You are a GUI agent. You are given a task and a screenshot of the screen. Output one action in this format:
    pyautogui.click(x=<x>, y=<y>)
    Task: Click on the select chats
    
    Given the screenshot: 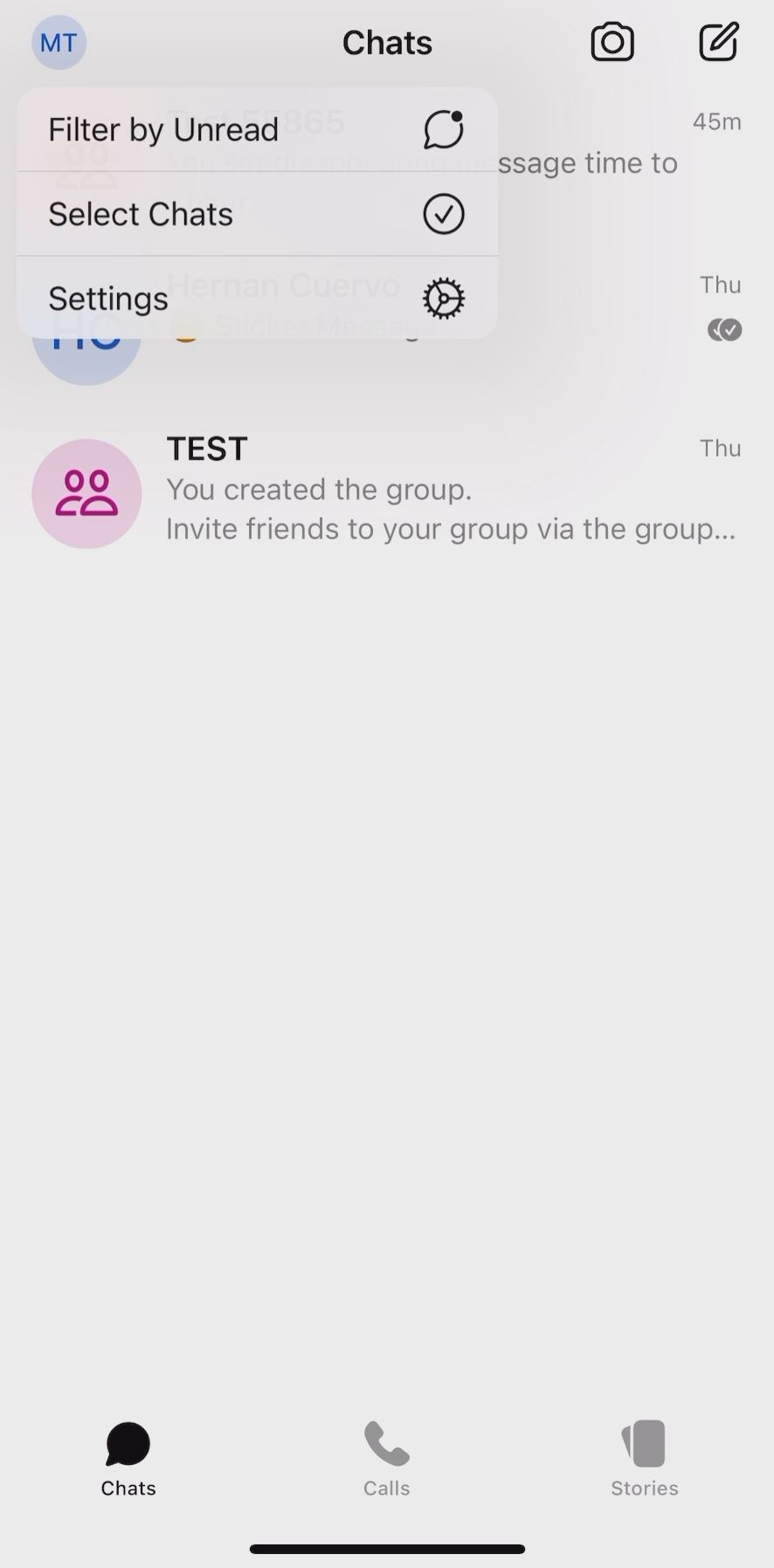 What is the action you would take?
    pyautogui.click(x=256, y=210)
    